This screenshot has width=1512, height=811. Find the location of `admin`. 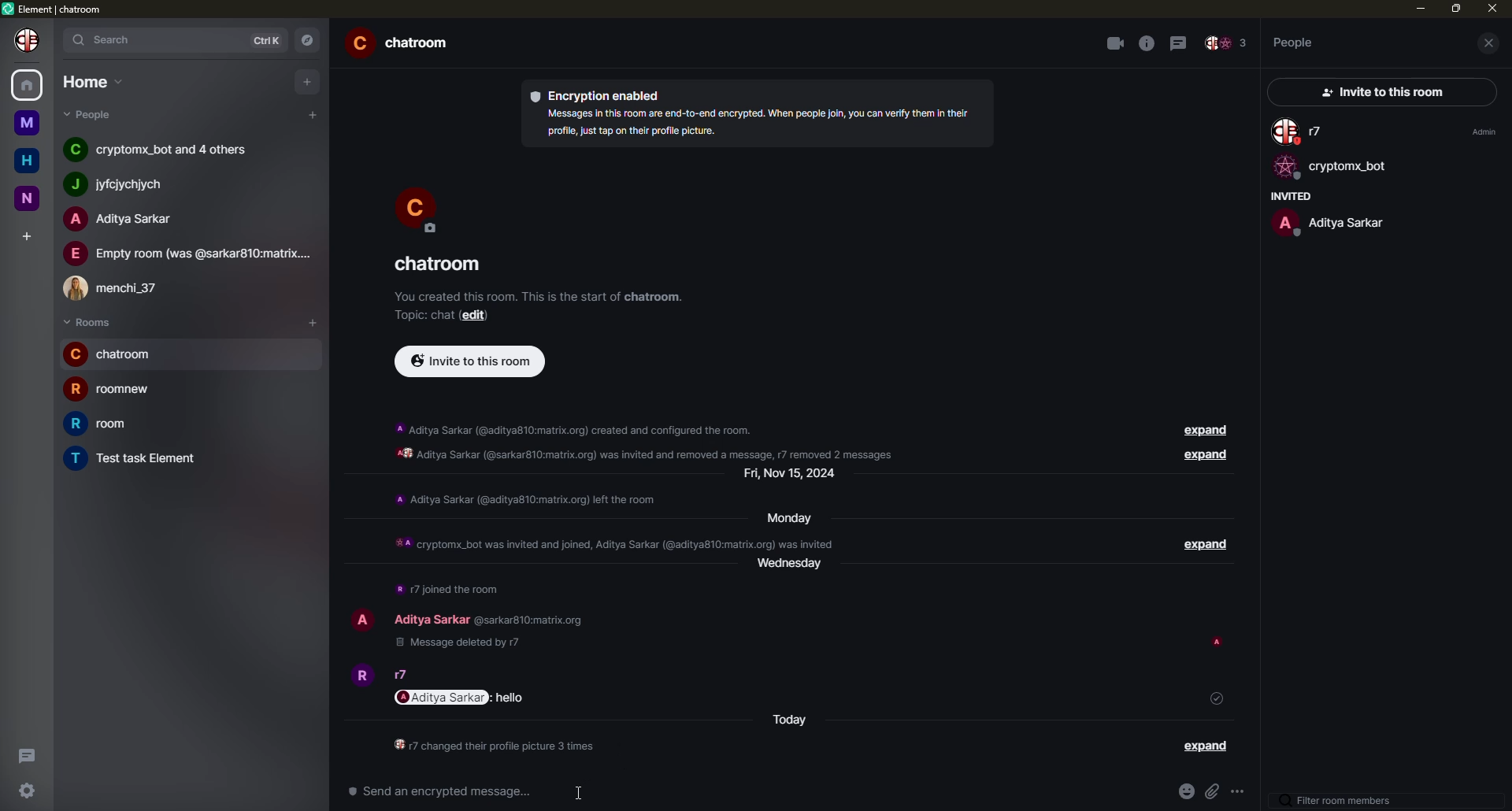

admin is located at coordinates (1481, 131).